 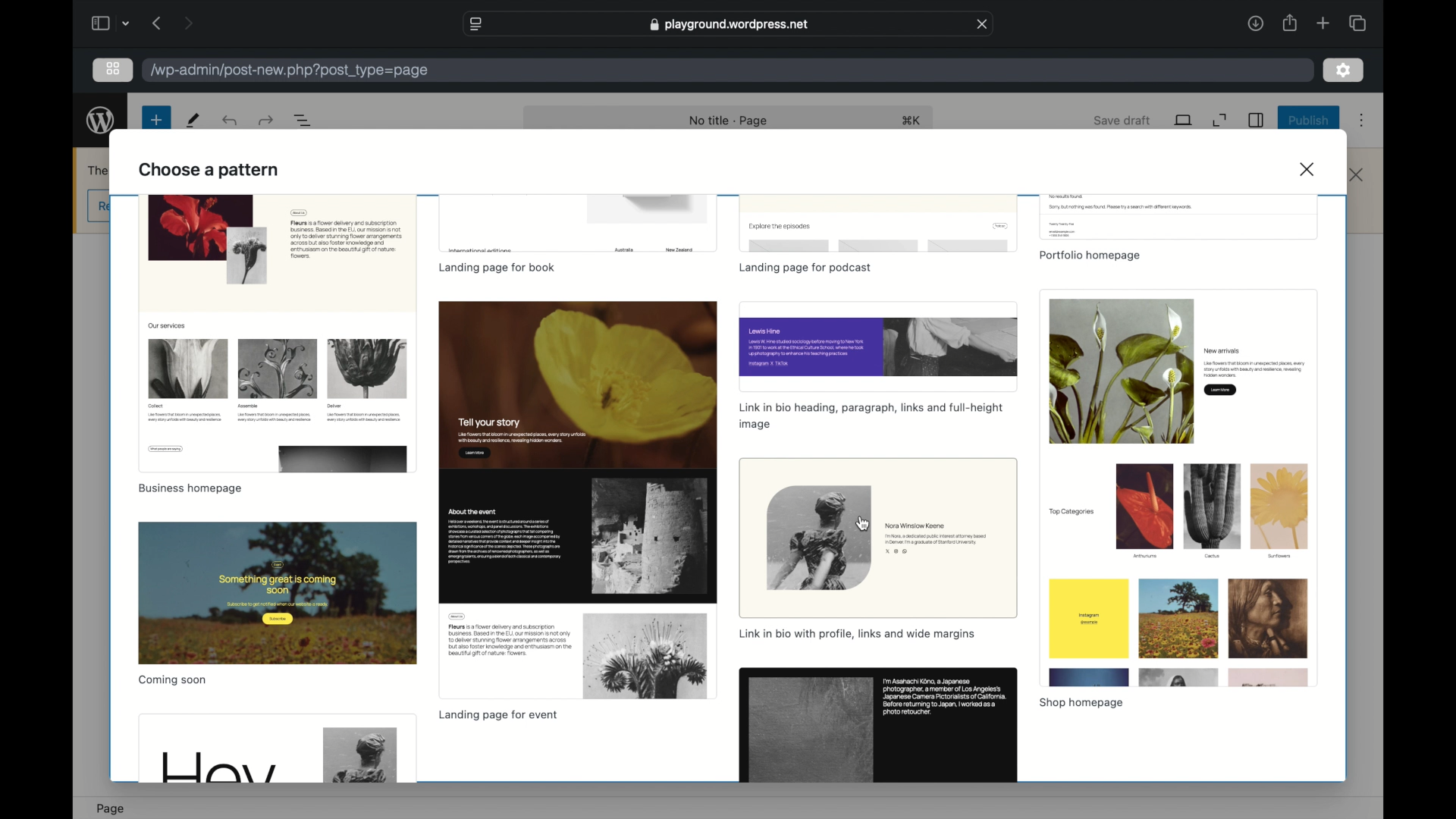 What do you see at coordinates (1357, 23) in the screenshot?
I see `show tab overview` at bounding box center [1357, 23].